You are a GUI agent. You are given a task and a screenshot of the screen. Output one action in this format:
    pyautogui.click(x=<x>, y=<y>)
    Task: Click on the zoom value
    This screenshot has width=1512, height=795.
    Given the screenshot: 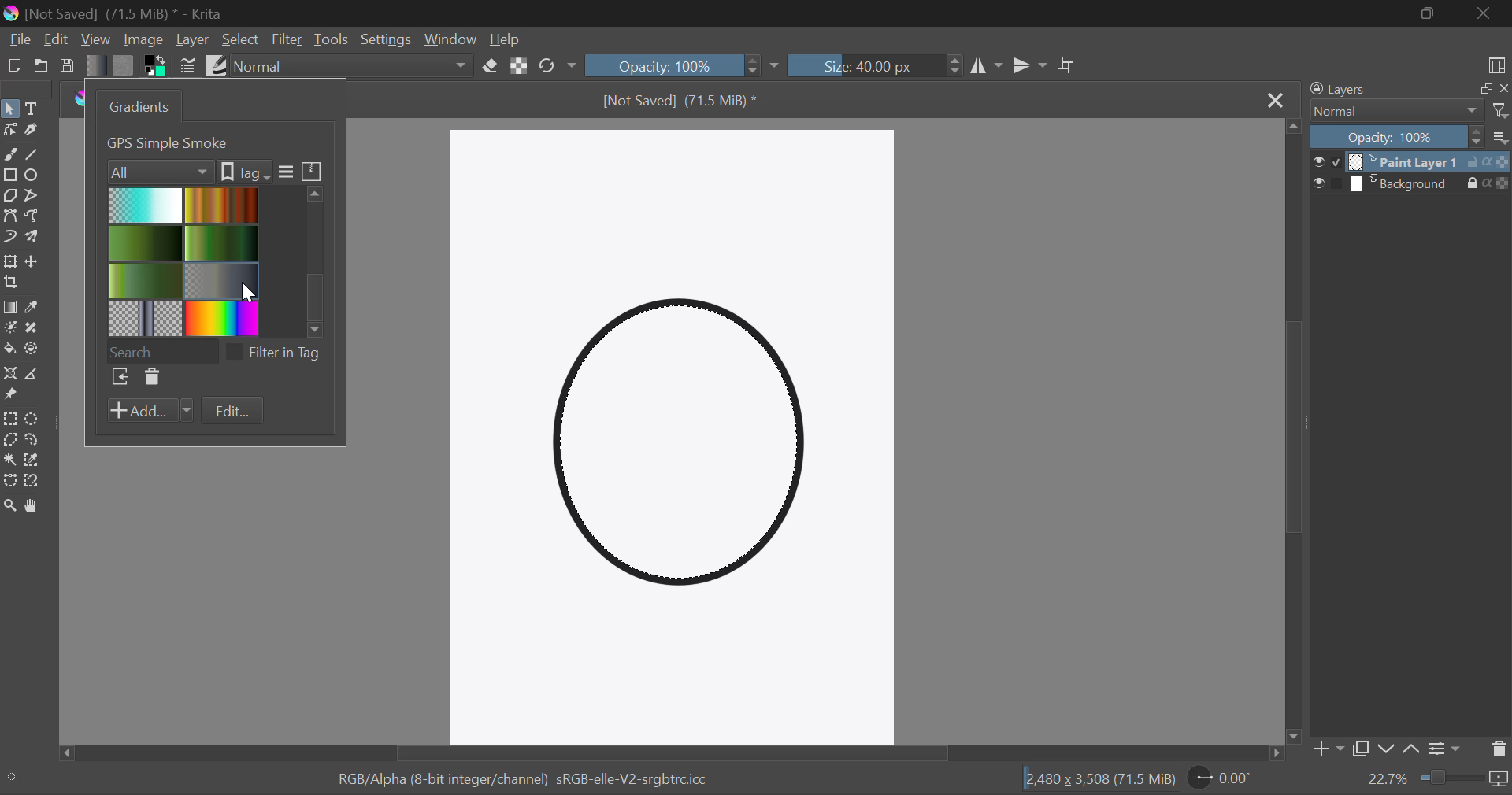 What is the action you would take?
    pyautogui.click(x=1389, y=779)
    